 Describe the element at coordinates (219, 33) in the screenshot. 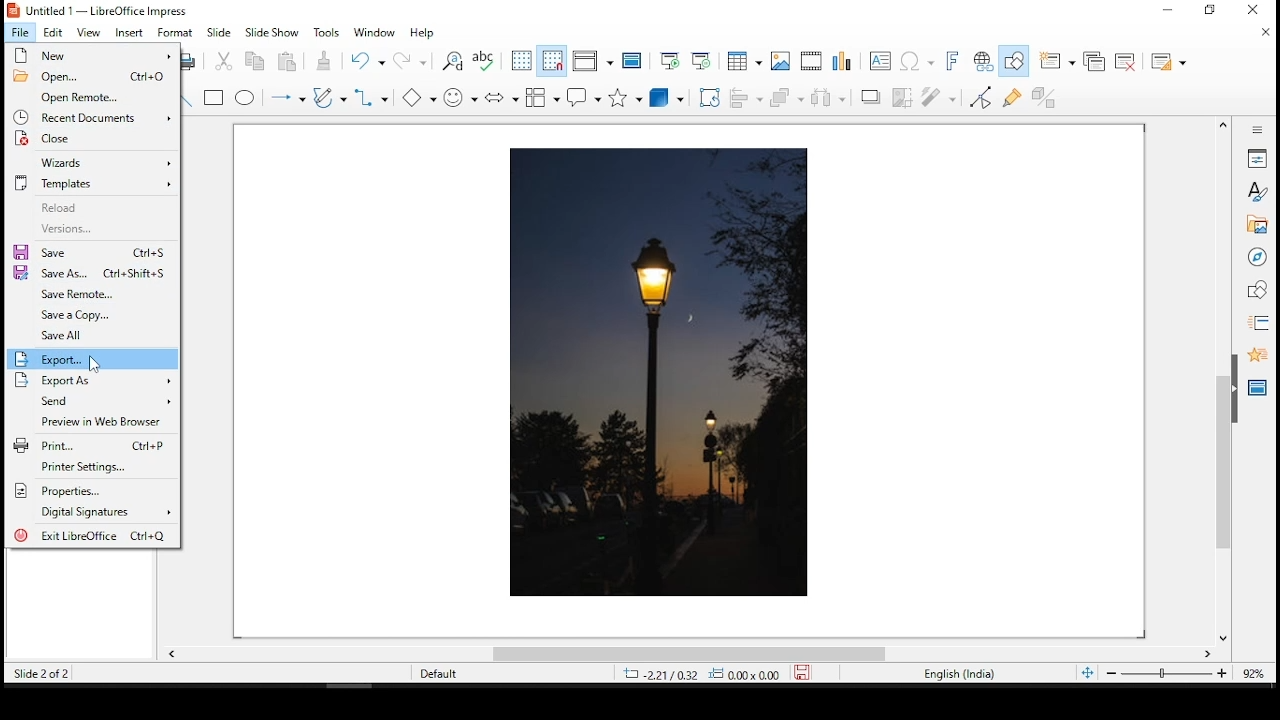

I see `slide` at that location.